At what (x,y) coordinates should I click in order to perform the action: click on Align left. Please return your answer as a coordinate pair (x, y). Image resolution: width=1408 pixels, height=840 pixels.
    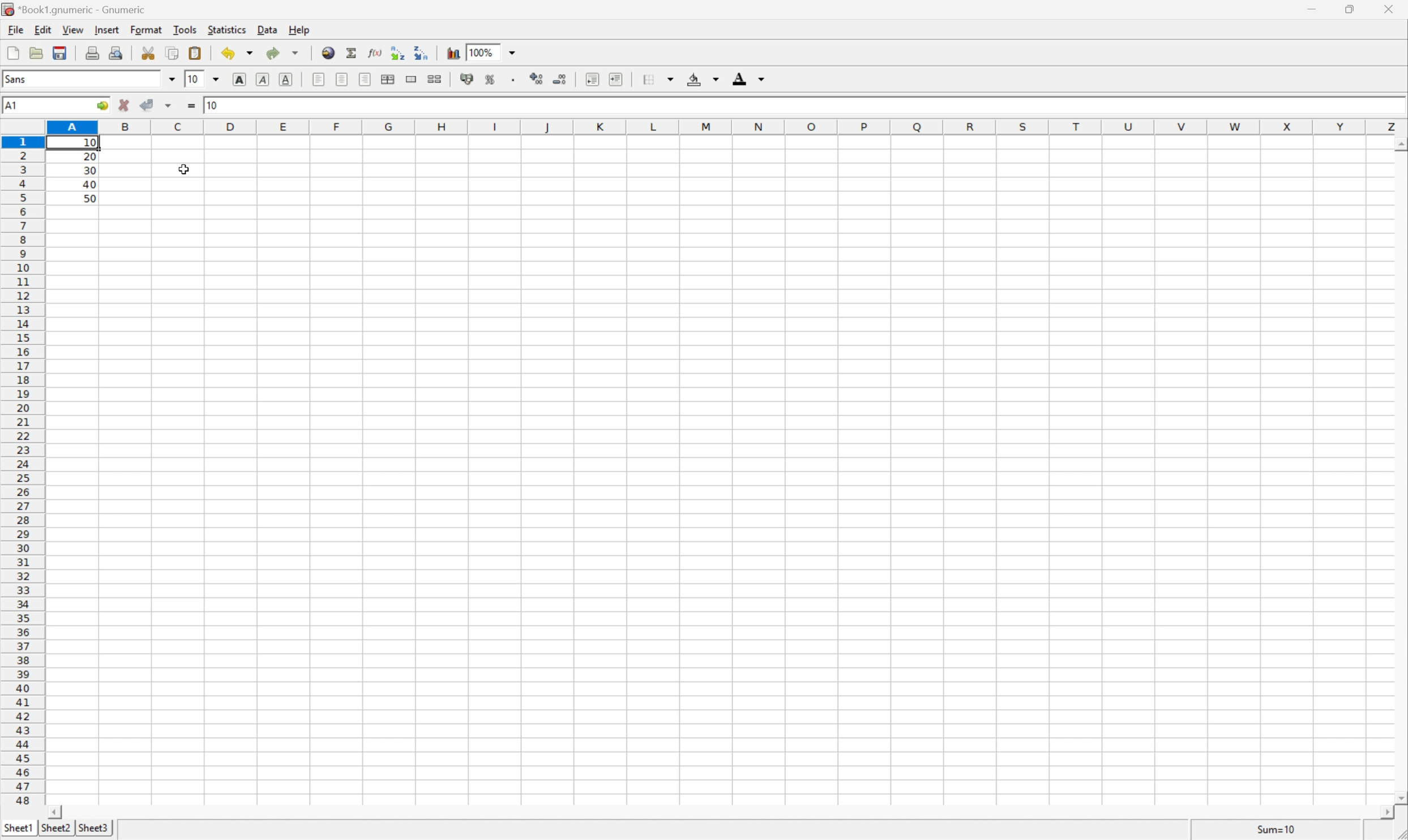
    Looking at the image, I should click on (318, 78).